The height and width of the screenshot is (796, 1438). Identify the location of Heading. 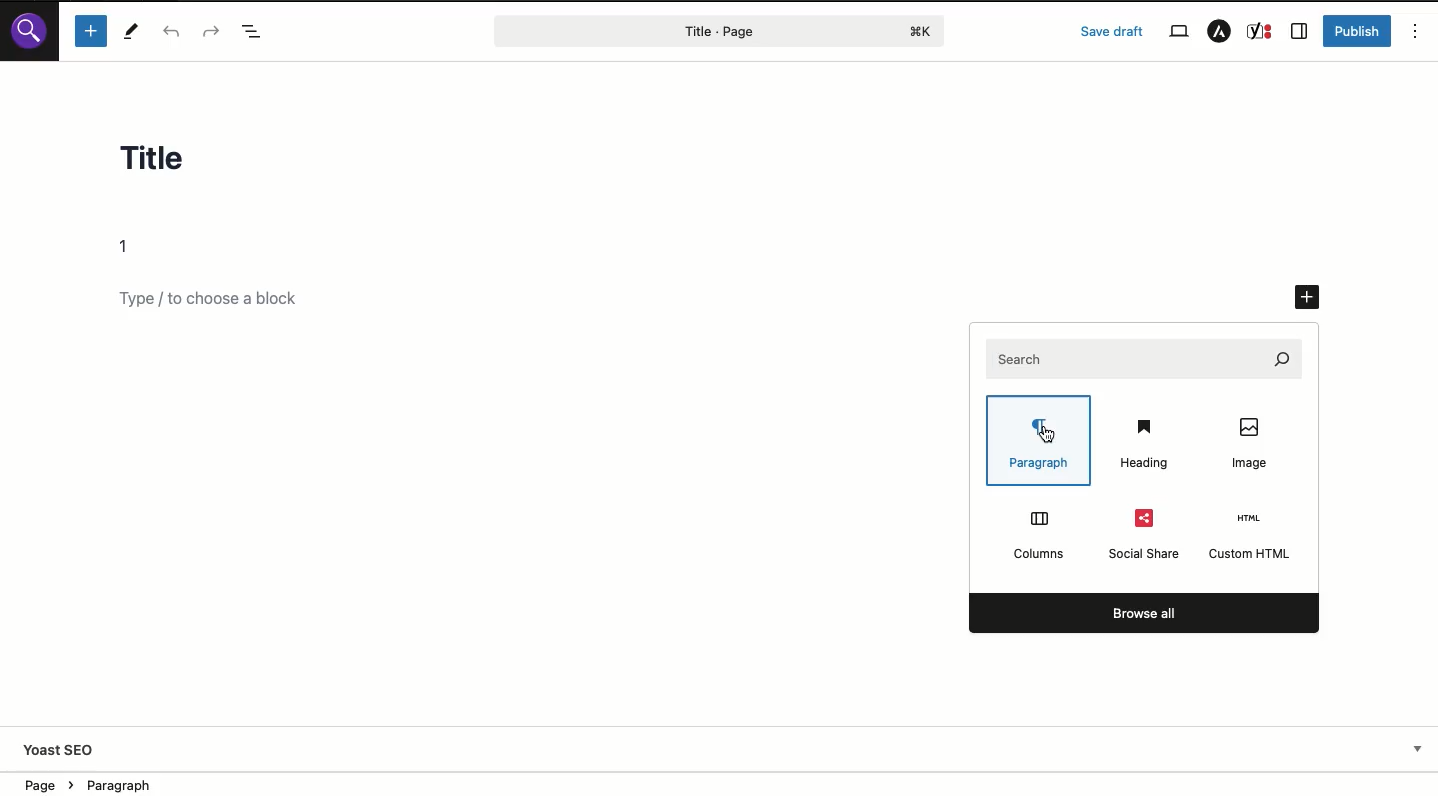
(1145, 445).